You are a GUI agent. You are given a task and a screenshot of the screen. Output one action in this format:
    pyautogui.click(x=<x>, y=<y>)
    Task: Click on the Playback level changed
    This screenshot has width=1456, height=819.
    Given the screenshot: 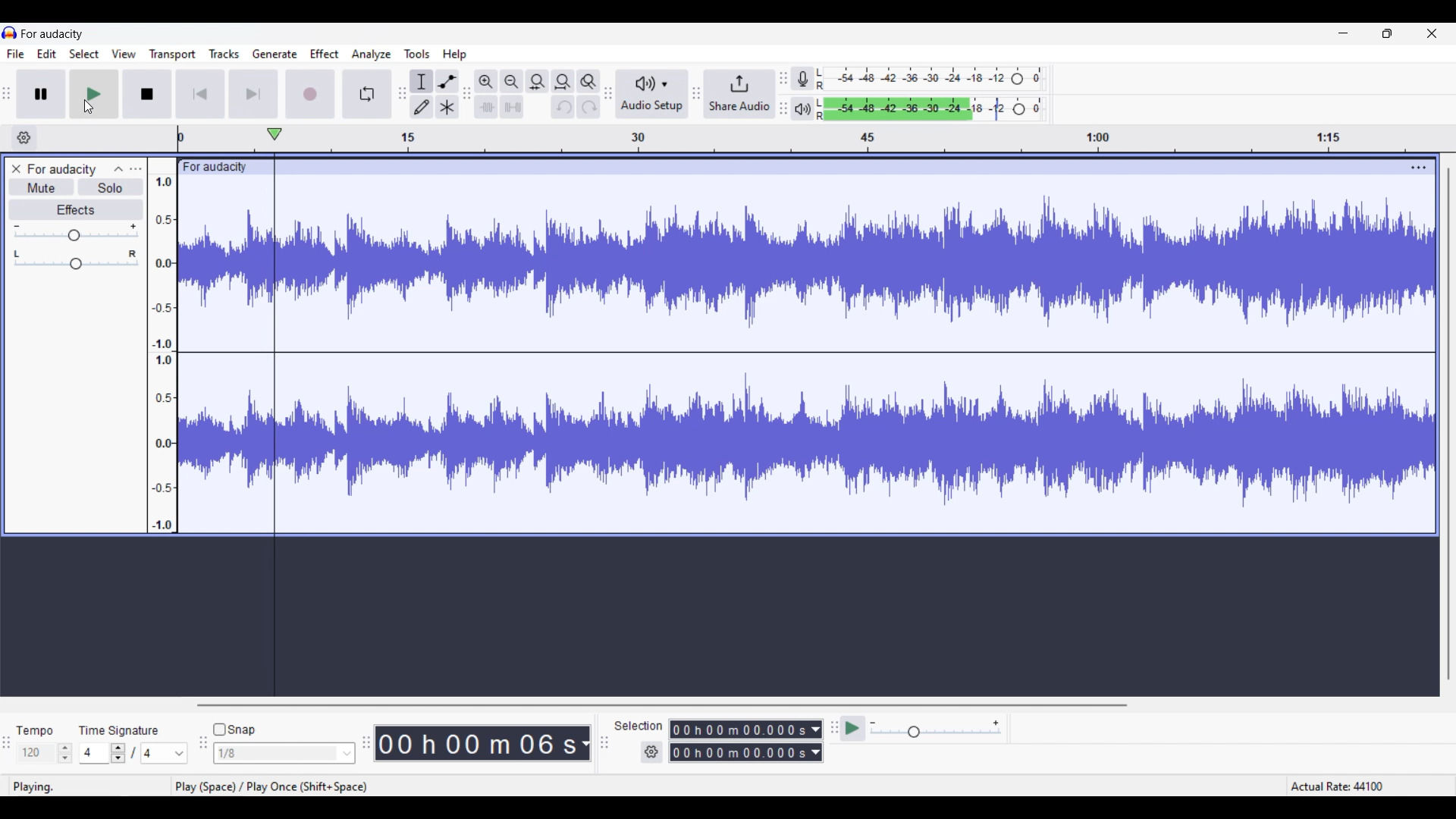 What is the action you would take?
    pyautogui.click(x=936, y=110)
    